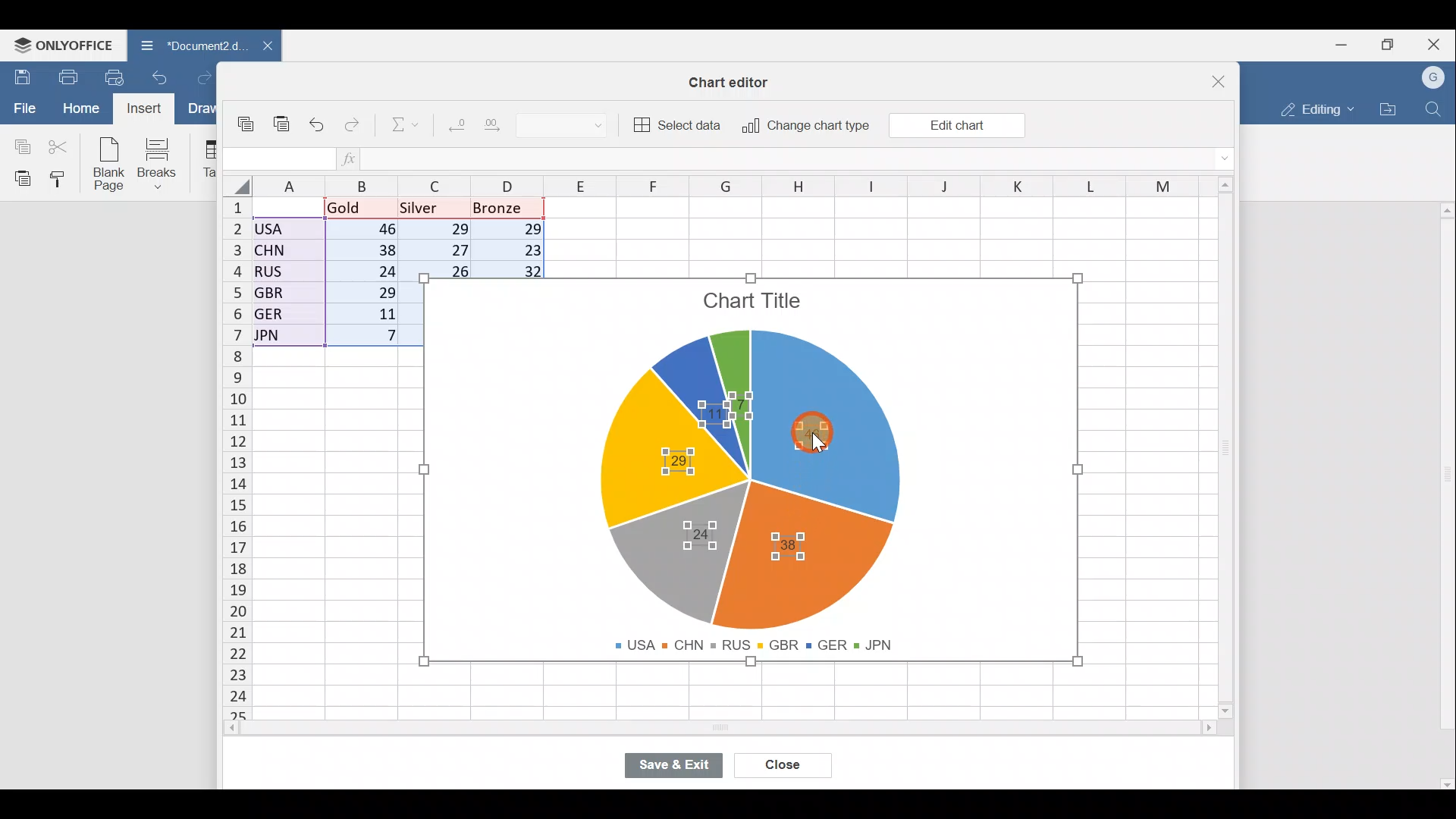  Describe the element at coordinates (708, 419) in the screenshot. I see `Chart label` at that location.